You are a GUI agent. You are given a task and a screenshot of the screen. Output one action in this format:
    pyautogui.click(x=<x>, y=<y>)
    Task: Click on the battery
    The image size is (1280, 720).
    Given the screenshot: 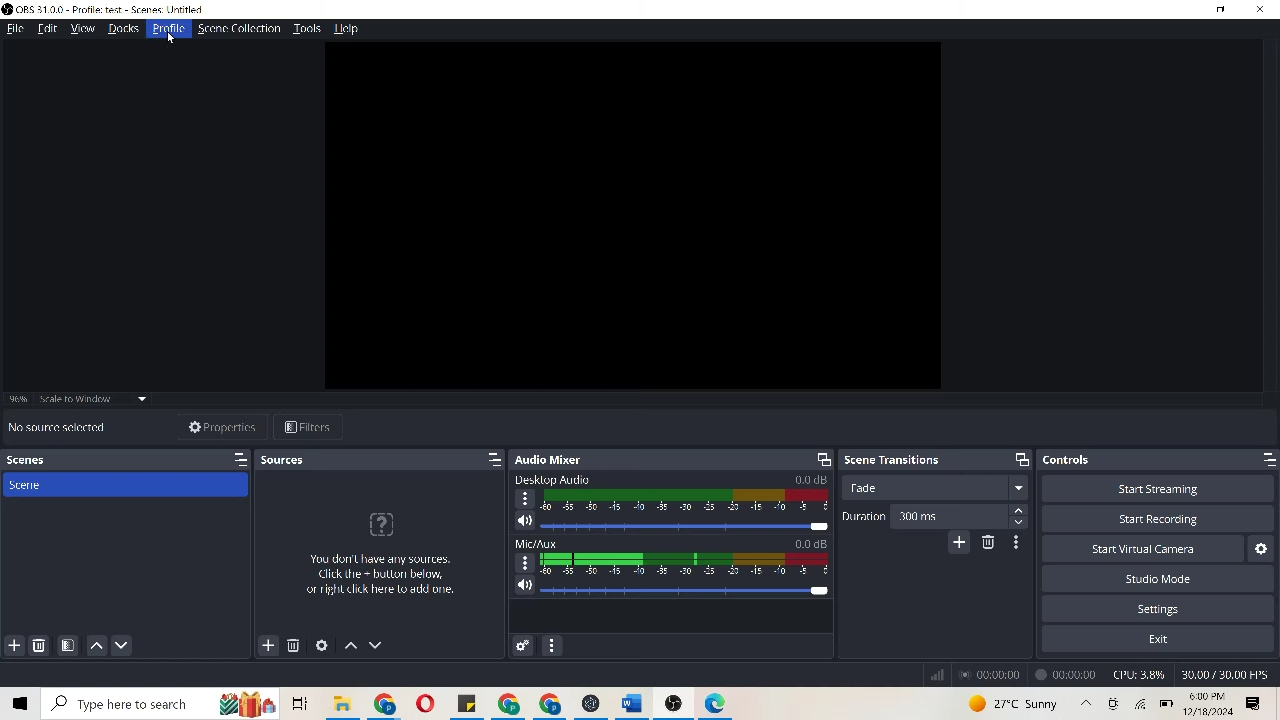 What is the action you would take?
    pyautogui.click(x=1167, y=704)
    